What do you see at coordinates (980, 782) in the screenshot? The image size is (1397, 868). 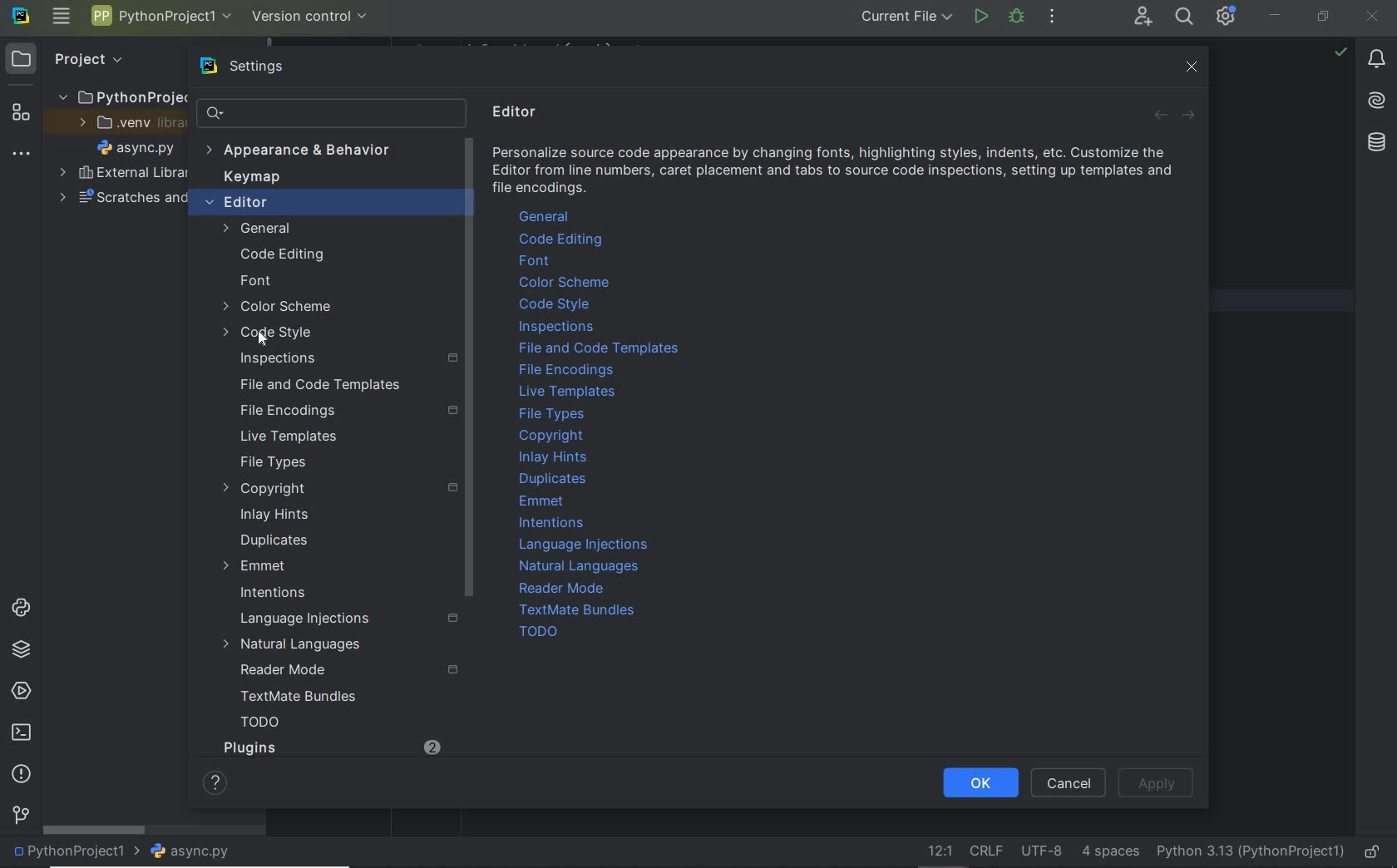 I see `OK` at bounding box center [980, 782].